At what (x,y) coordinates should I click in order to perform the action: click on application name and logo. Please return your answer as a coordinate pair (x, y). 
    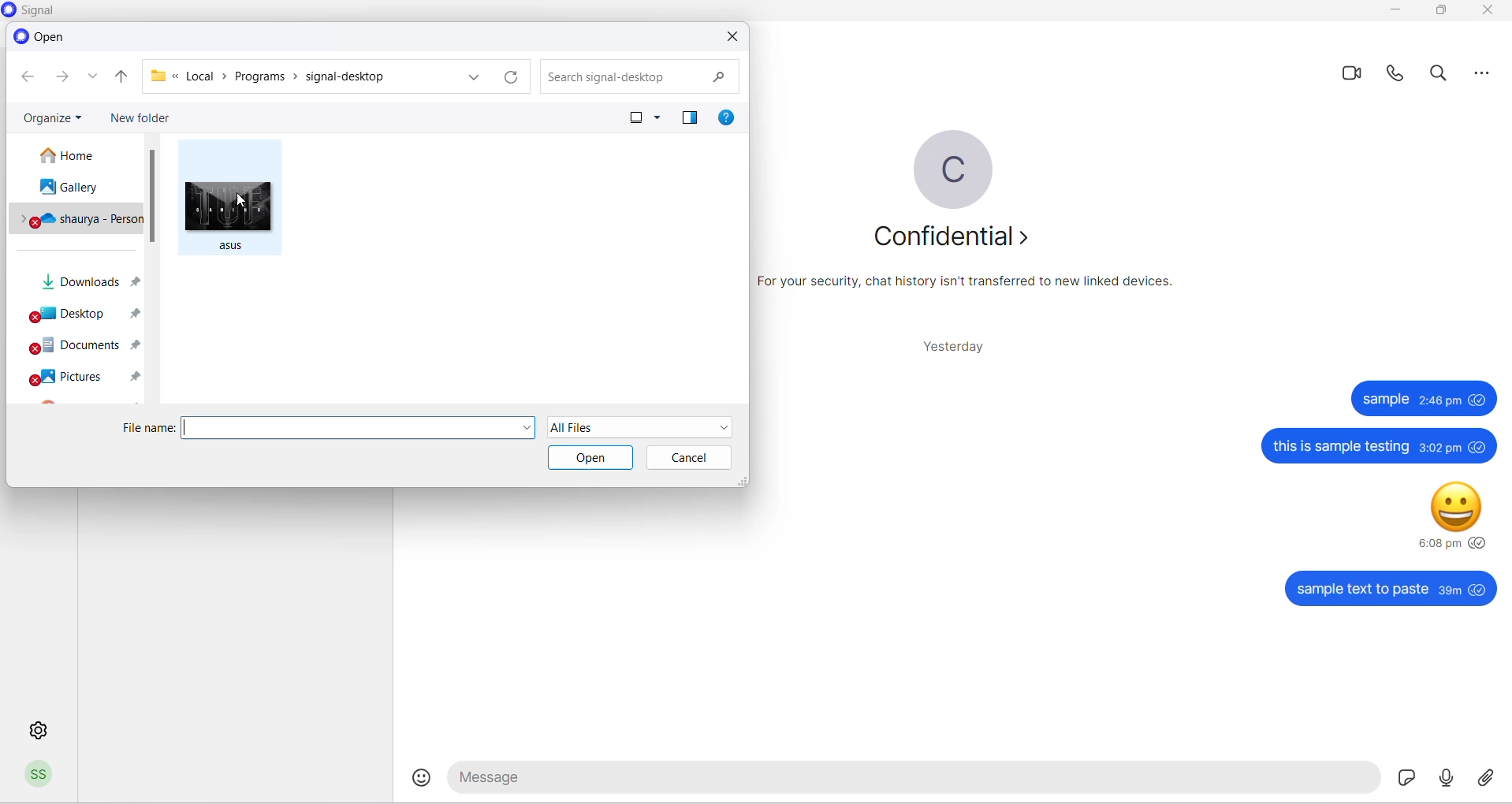
    Looking at the image, I should click on (43, 11).